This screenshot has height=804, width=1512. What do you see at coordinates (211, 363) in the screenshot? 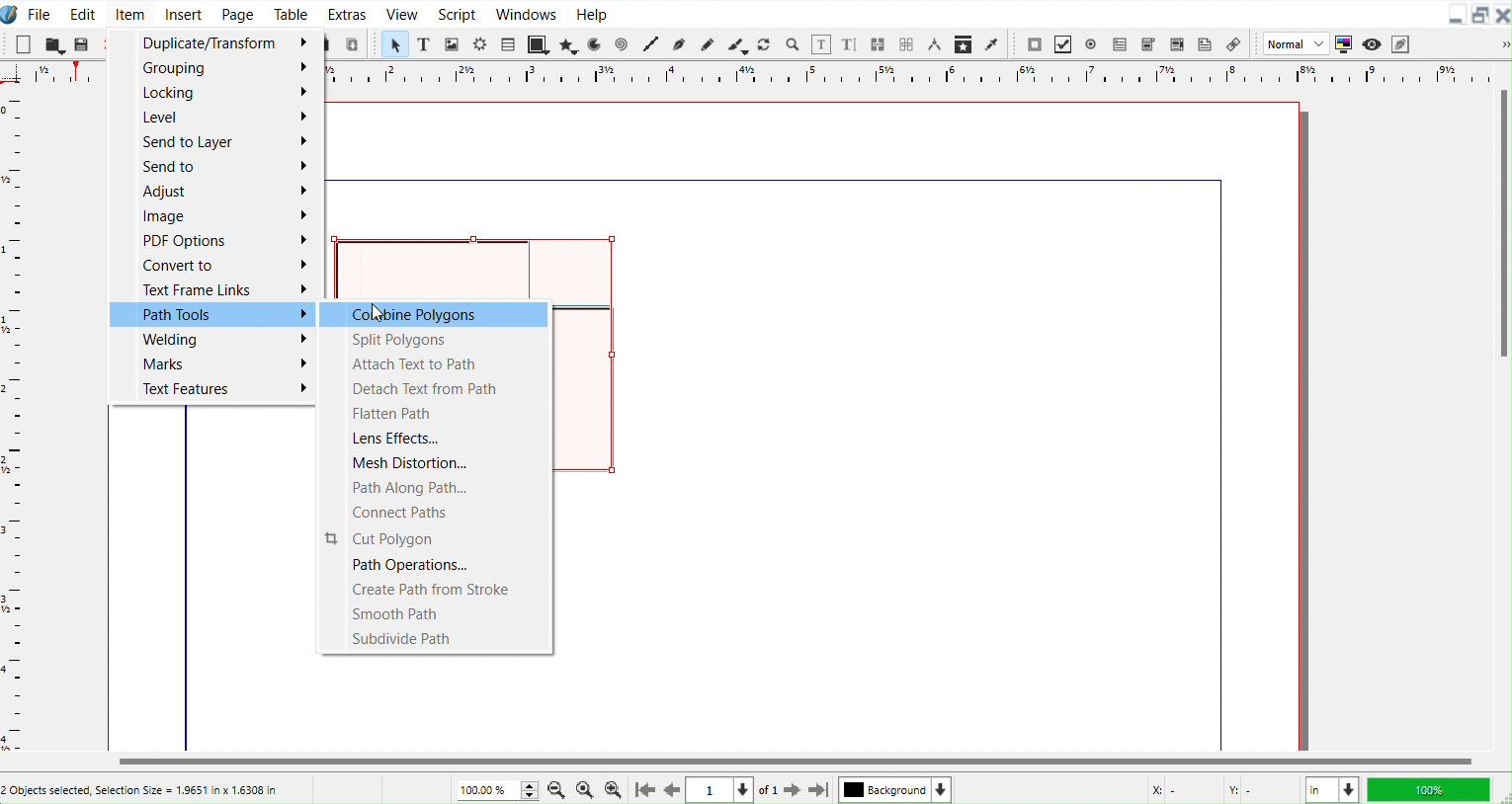
I see `Marks` at bounding box center [211, 363].